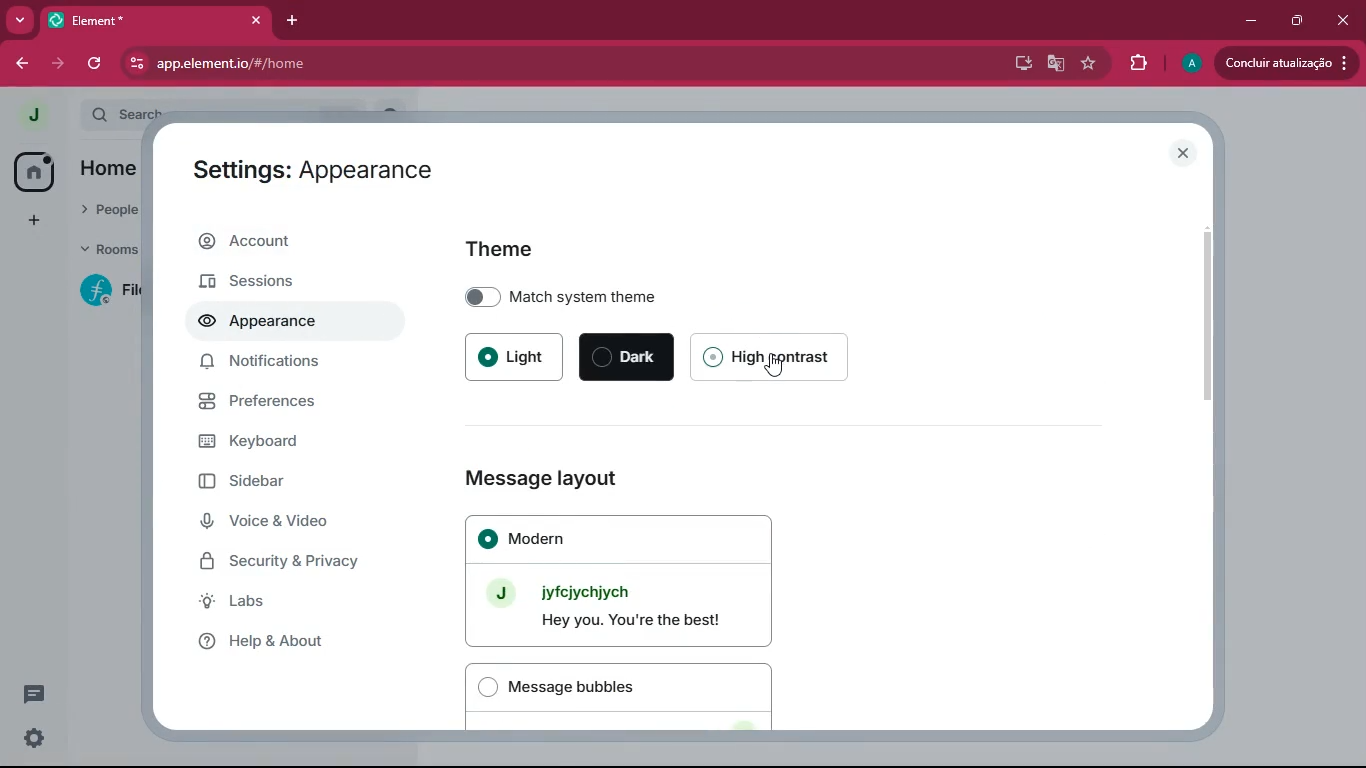 The image size is (1366, 768). Describe the element at coordinates (1246, 18) in the screenshot. I see `minimize` at that location.